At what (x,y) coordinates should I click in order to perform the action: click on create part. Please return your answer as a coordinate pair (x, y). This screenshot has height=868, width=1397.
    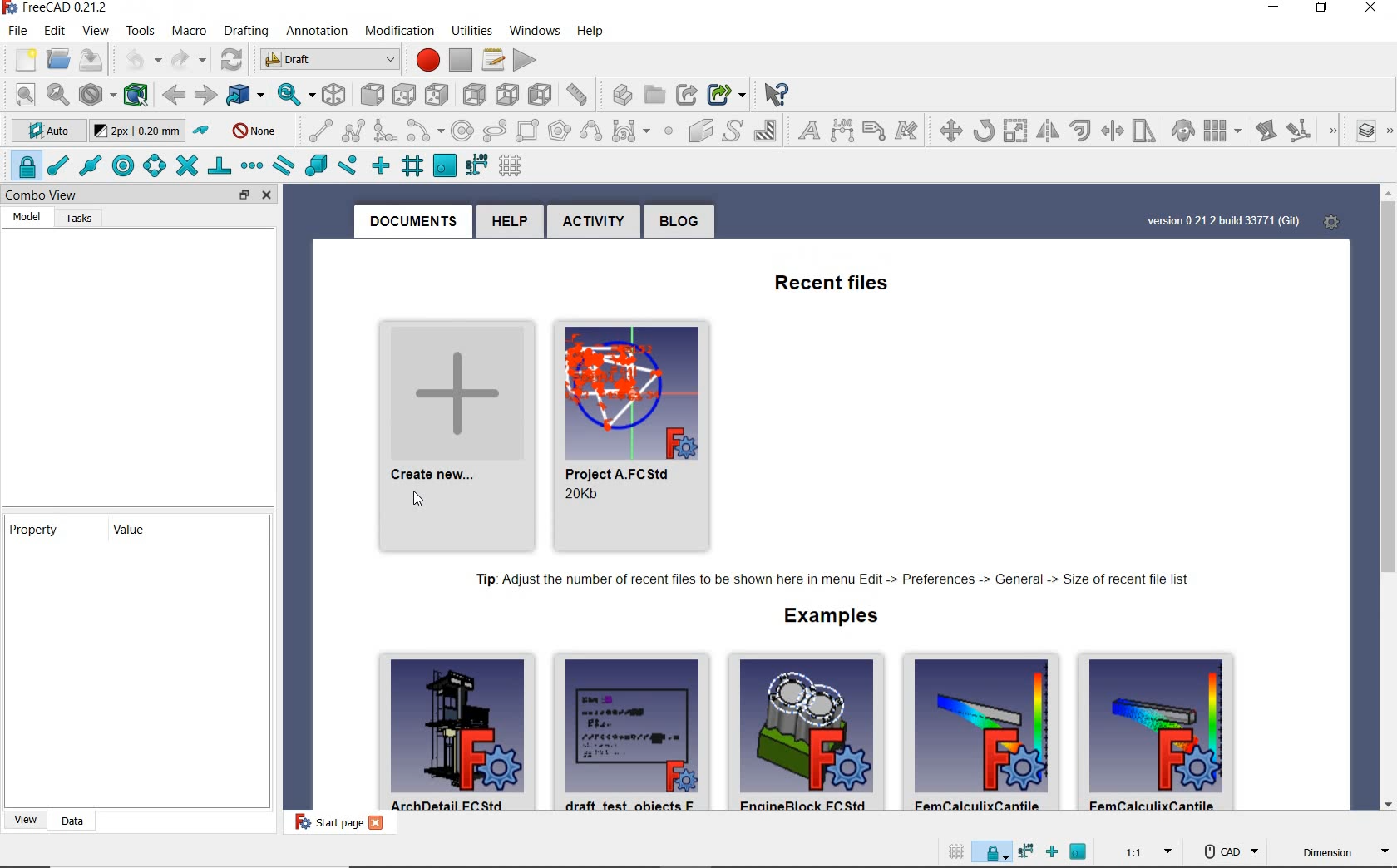
    Looking at the image, I should click on (578, 93).